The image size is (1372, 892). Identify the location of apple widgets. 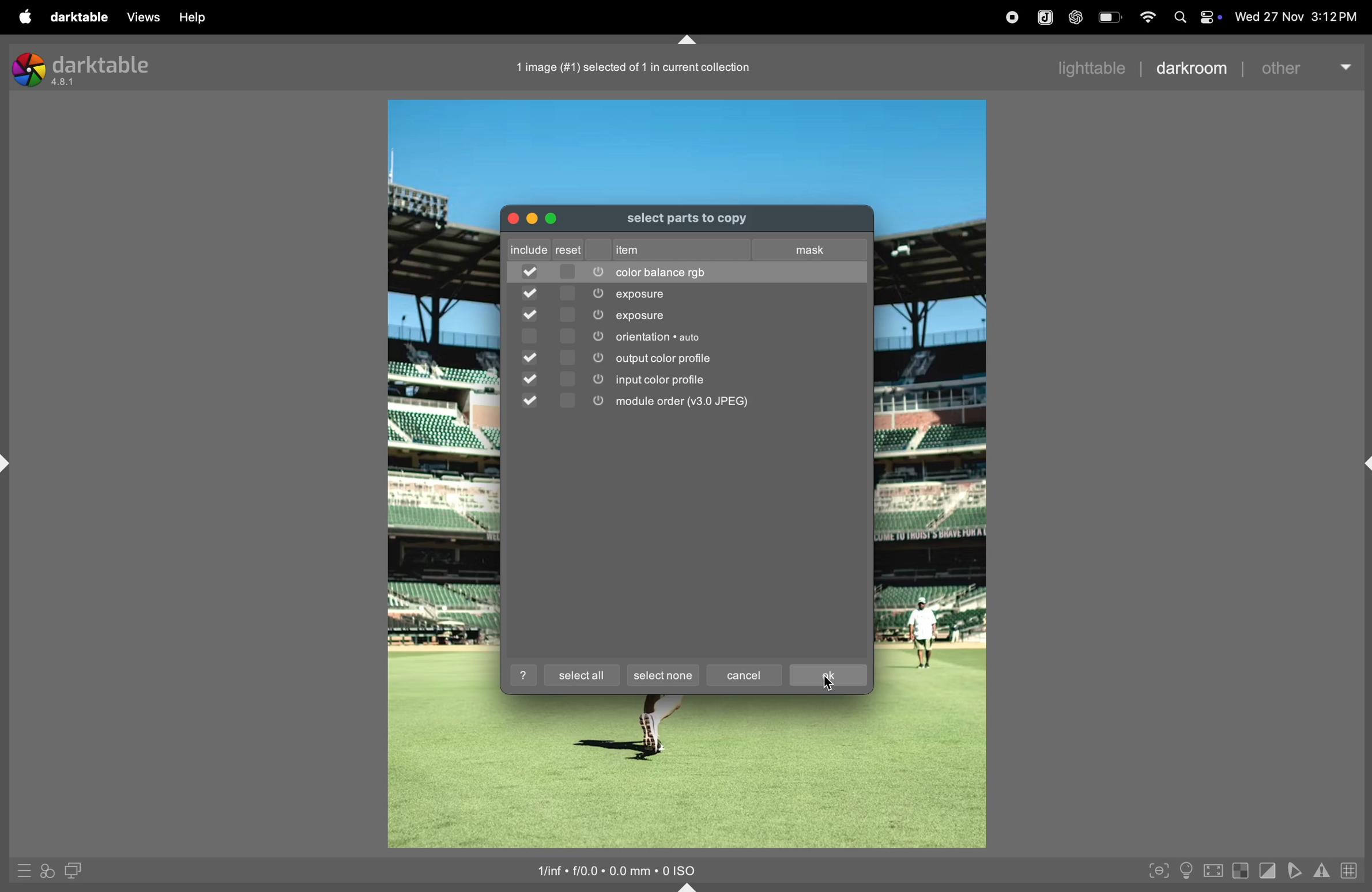
(1196, 16).